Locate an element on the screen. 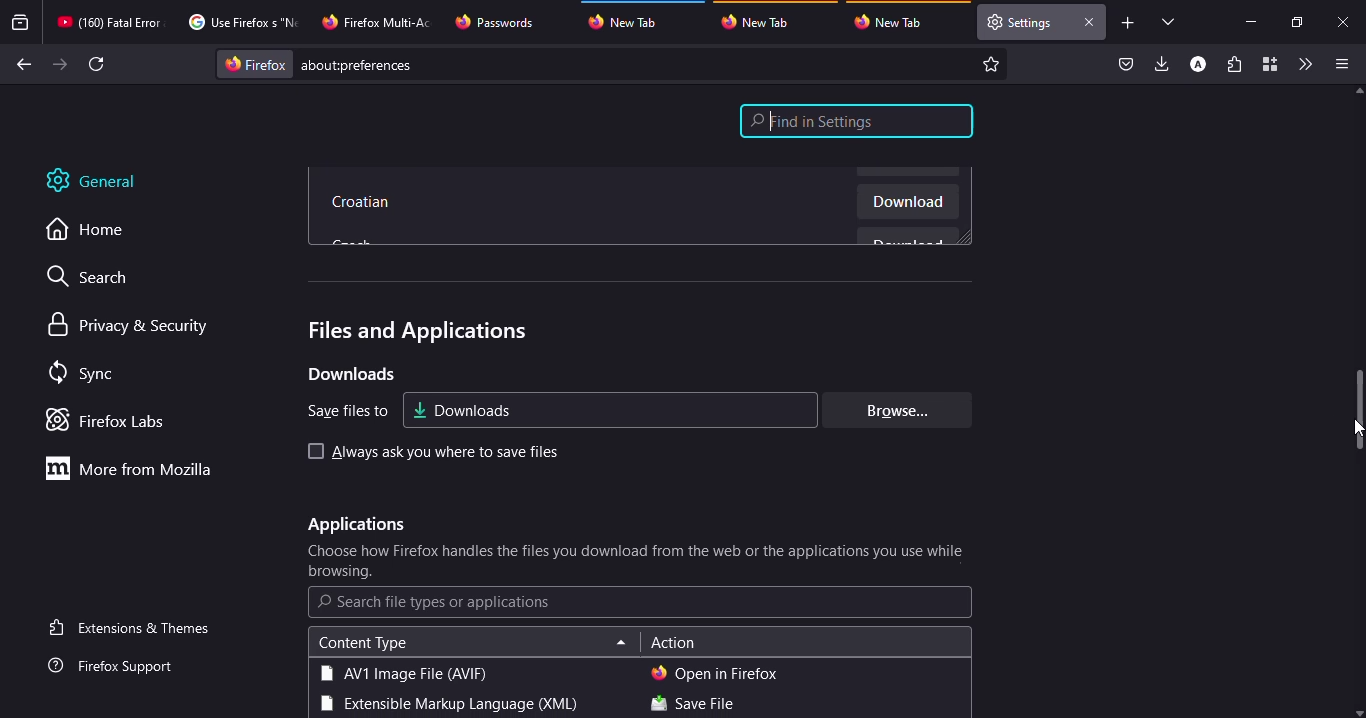 This screenshot has height=718, width=1366. close is located at coordinates (1088, 22).